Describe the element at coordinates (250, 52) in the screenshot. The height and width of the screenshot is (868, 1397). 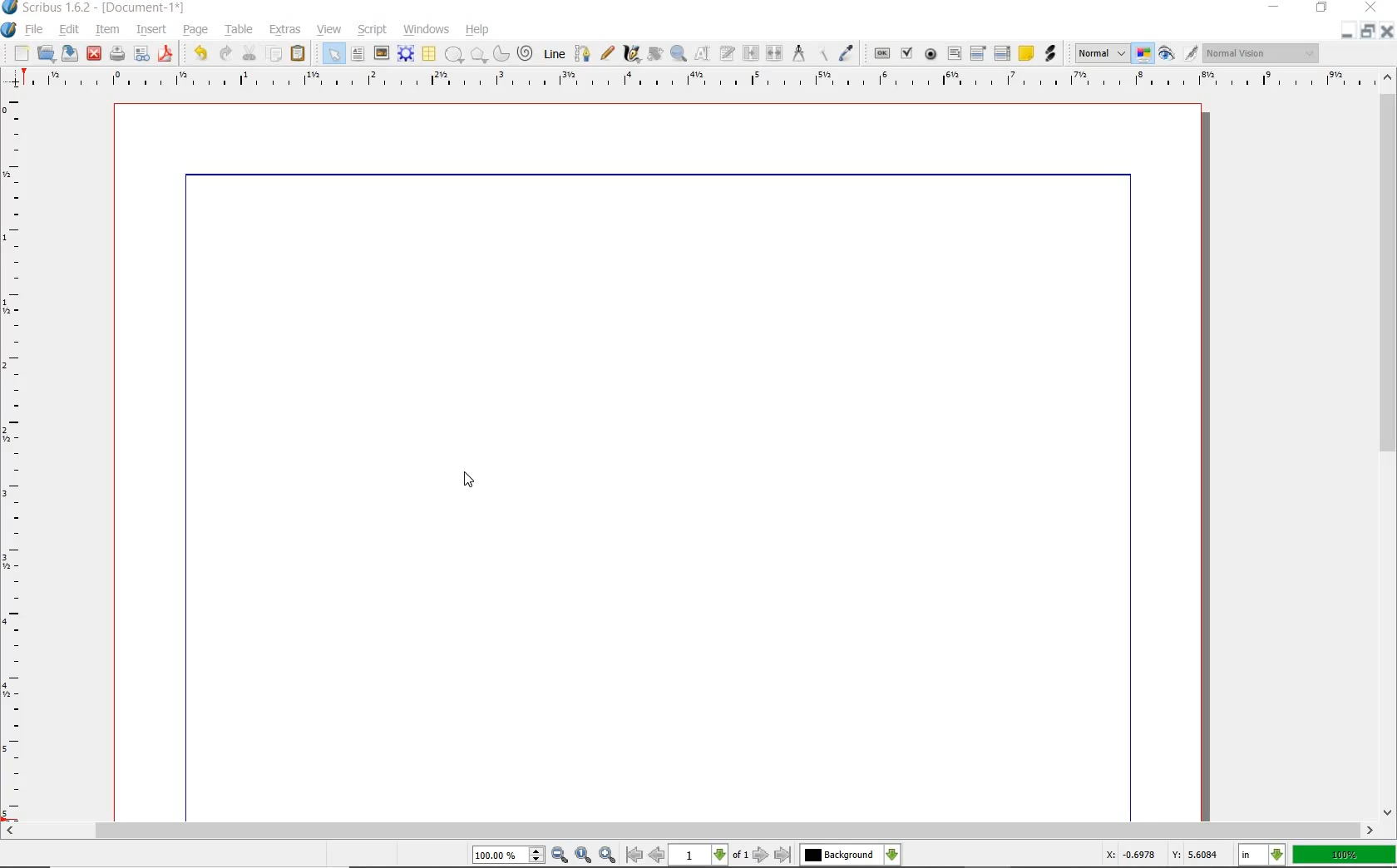
I see `CUT` at that location.